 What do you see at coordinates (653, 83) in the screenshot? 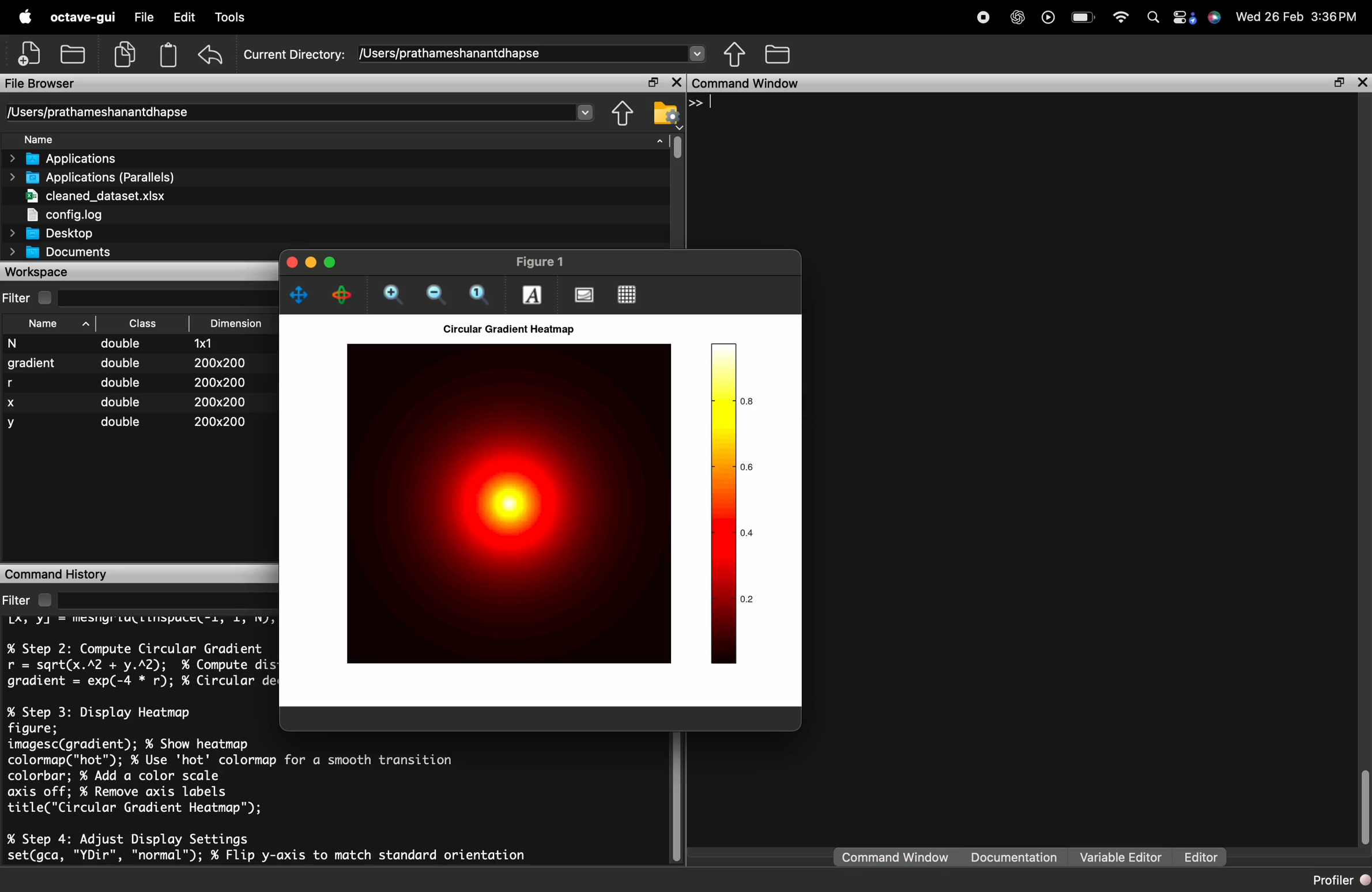
I see `maximize` at bounding box center [653, 83].